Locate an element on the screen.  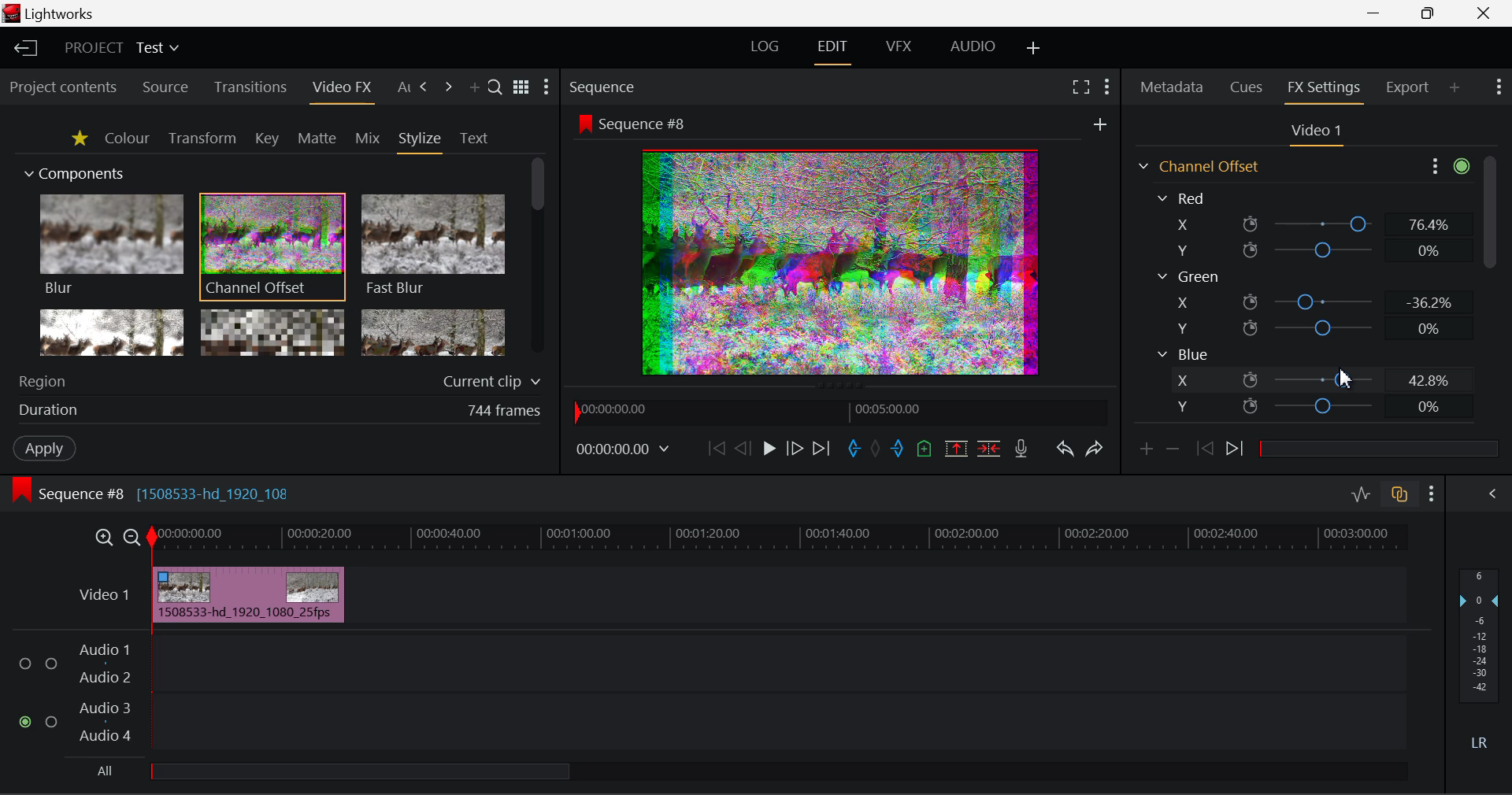
Remove All Marks is located at coordinates (875, 449).